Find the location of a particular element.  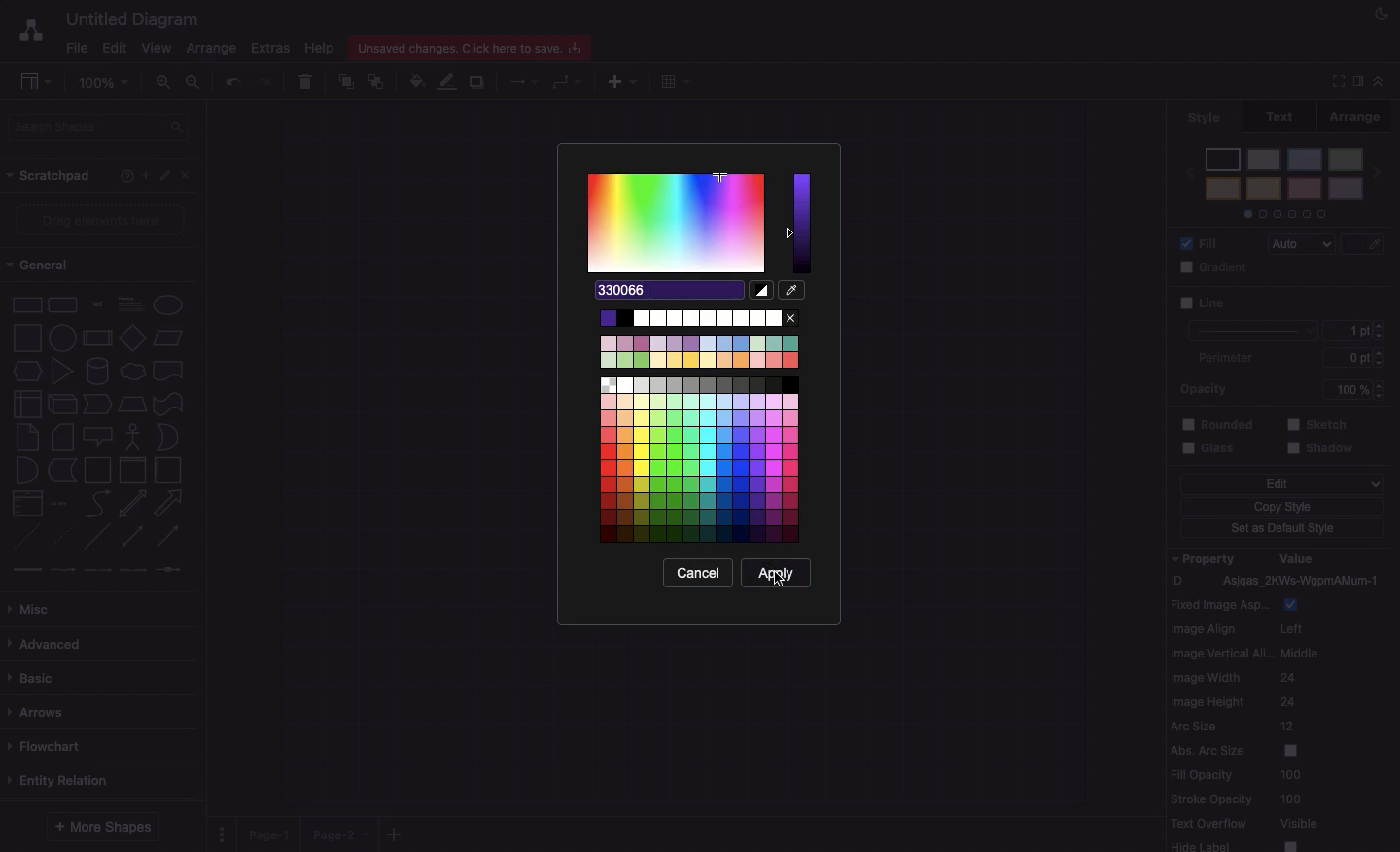

square is located at coordinates (25, 336).